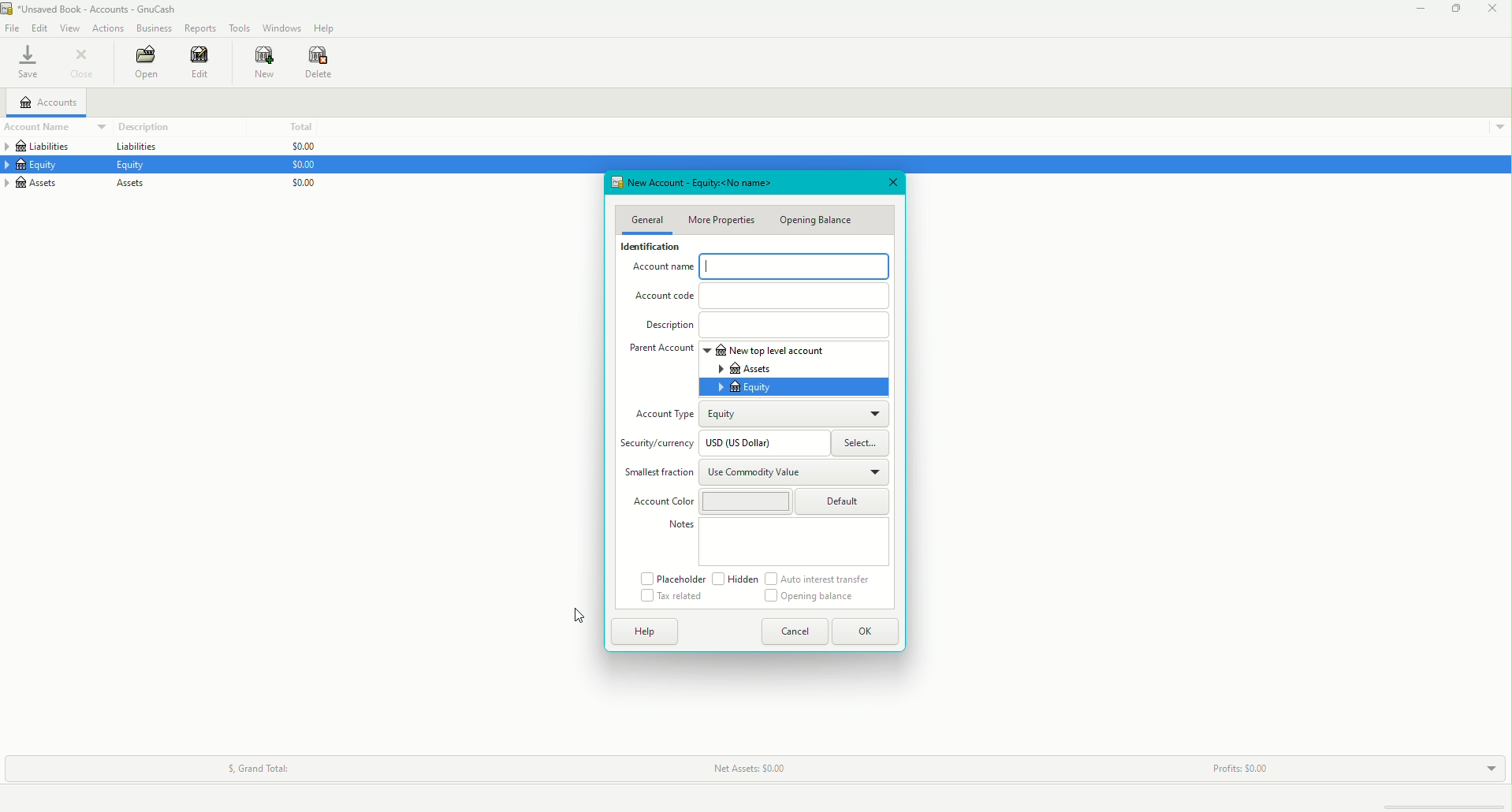 This screenshot has width=1512, height=812. I want to click on Account Name, so click(765, 267).